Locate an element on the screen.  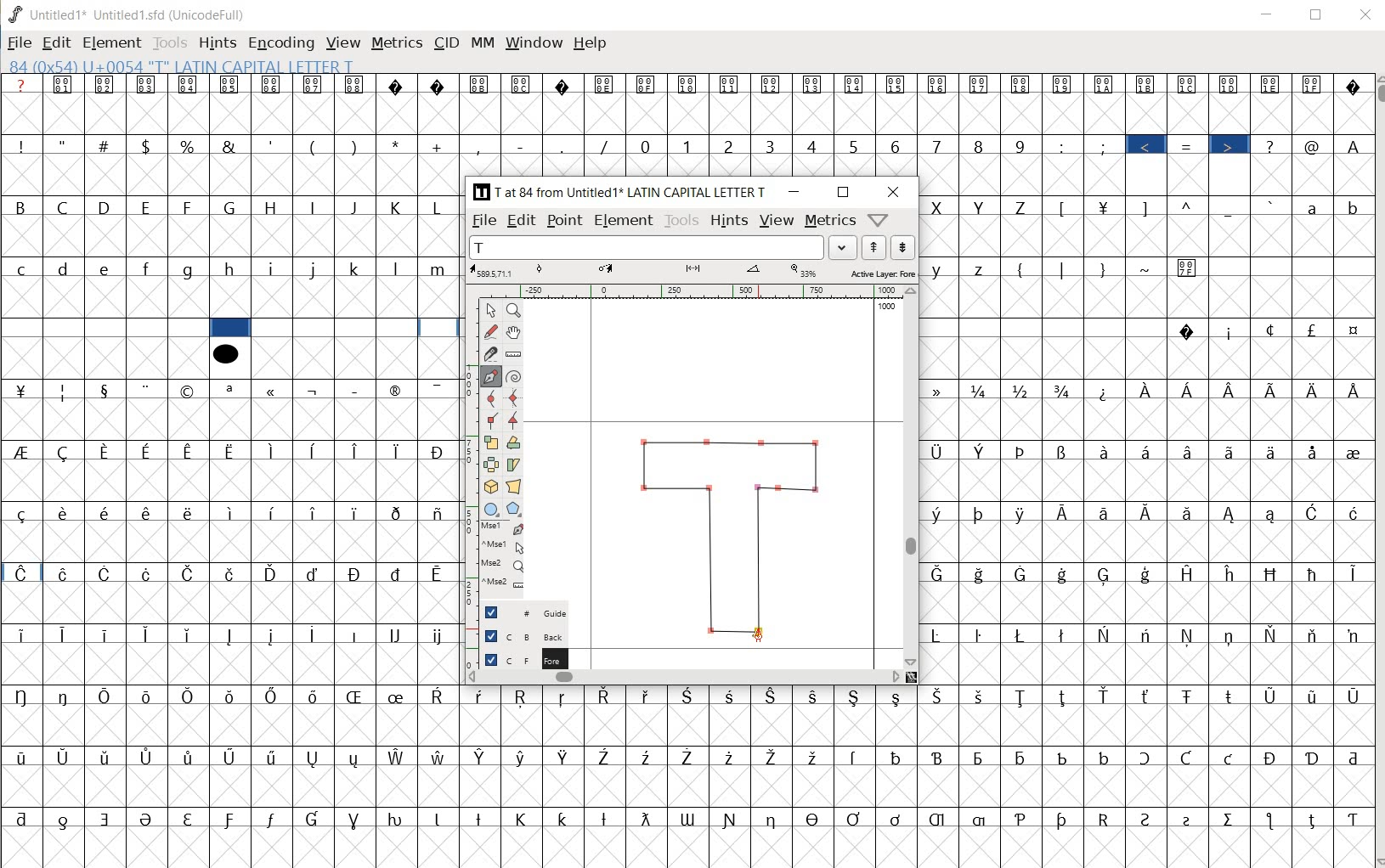
I is located at coordinates (315, 208).